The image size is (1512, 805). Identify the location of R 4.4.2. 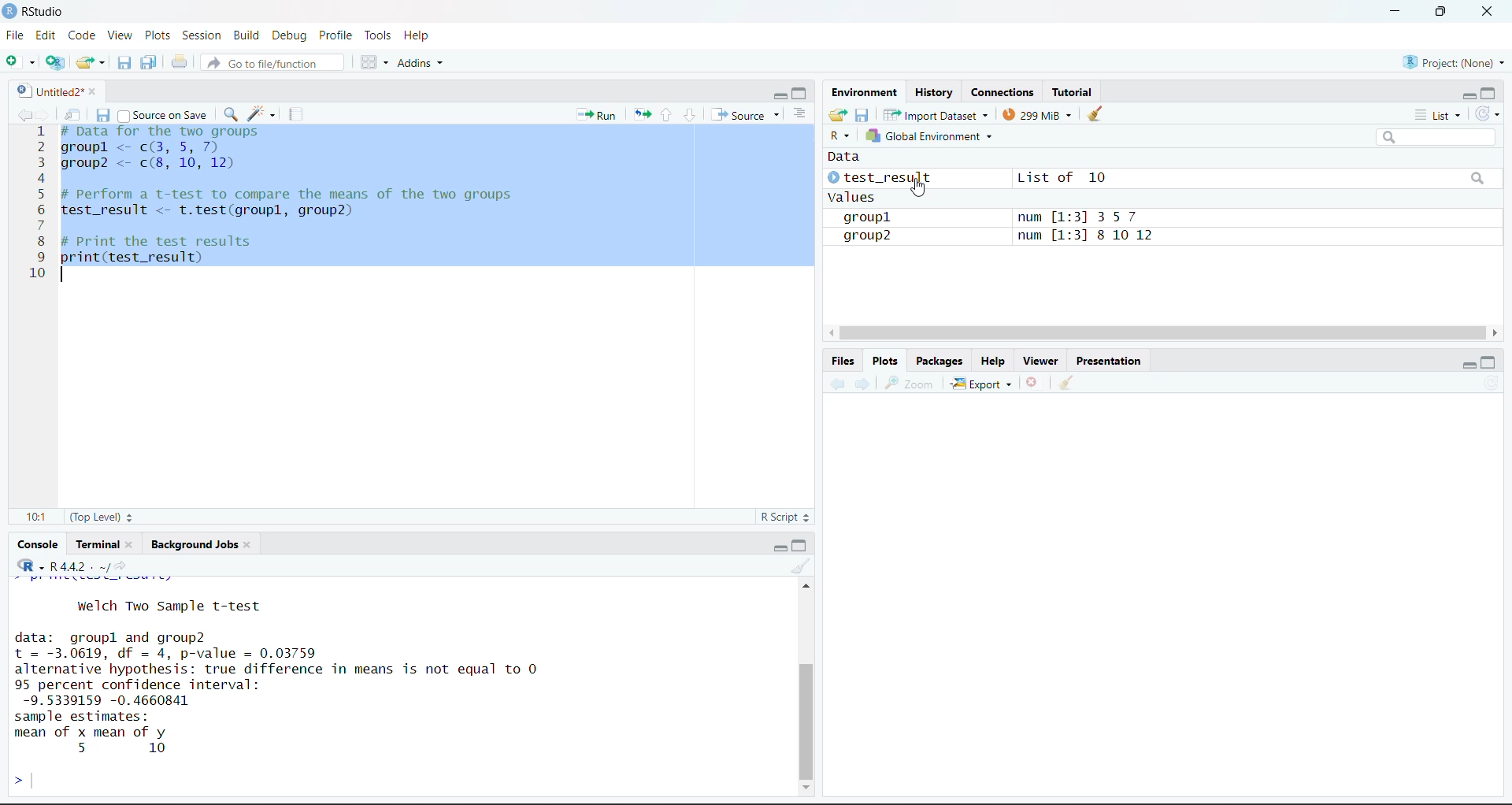
(55, 564).